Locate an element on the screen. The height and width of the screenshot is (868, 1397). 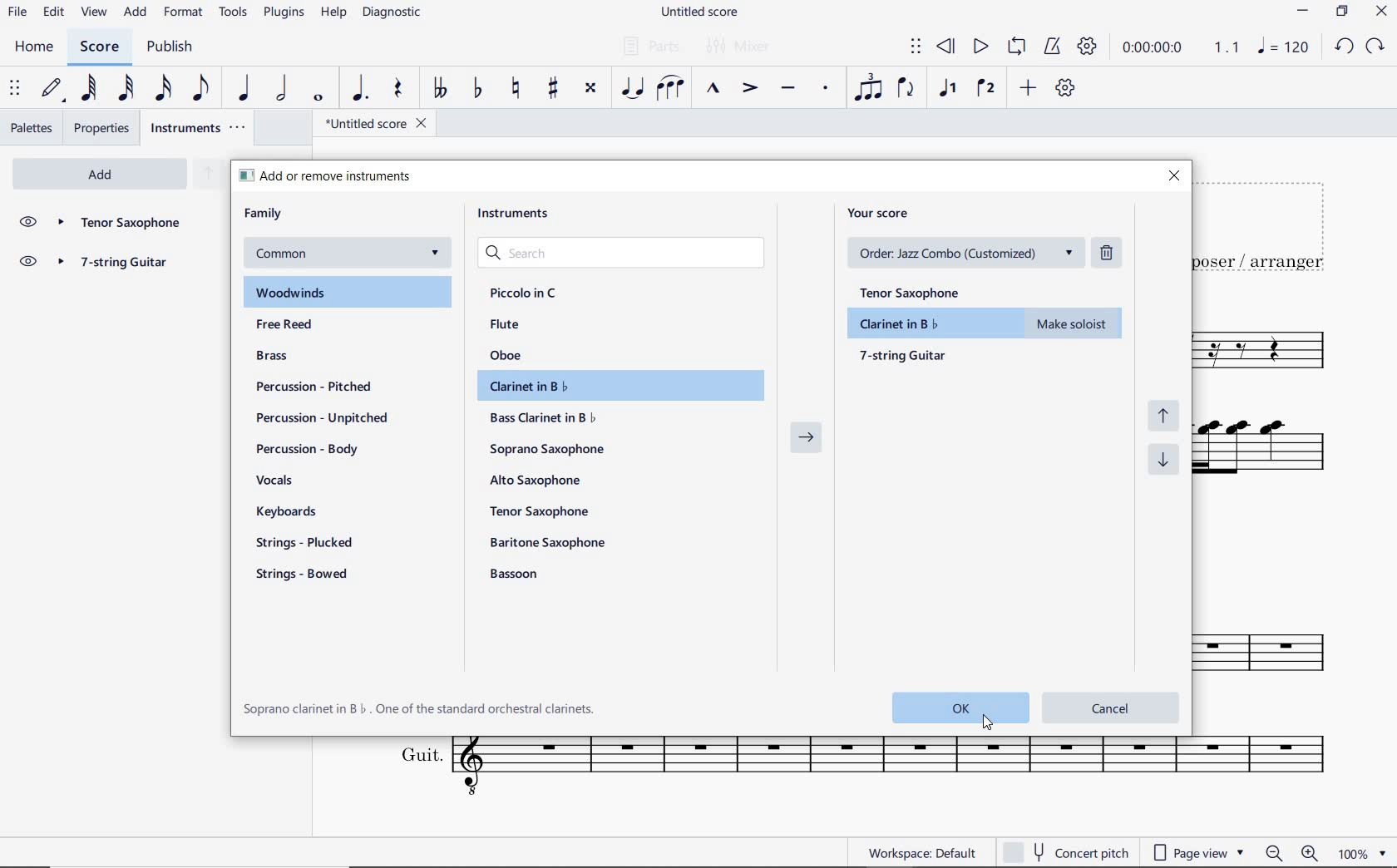
TUPLET is located at coordinates (868, 87).